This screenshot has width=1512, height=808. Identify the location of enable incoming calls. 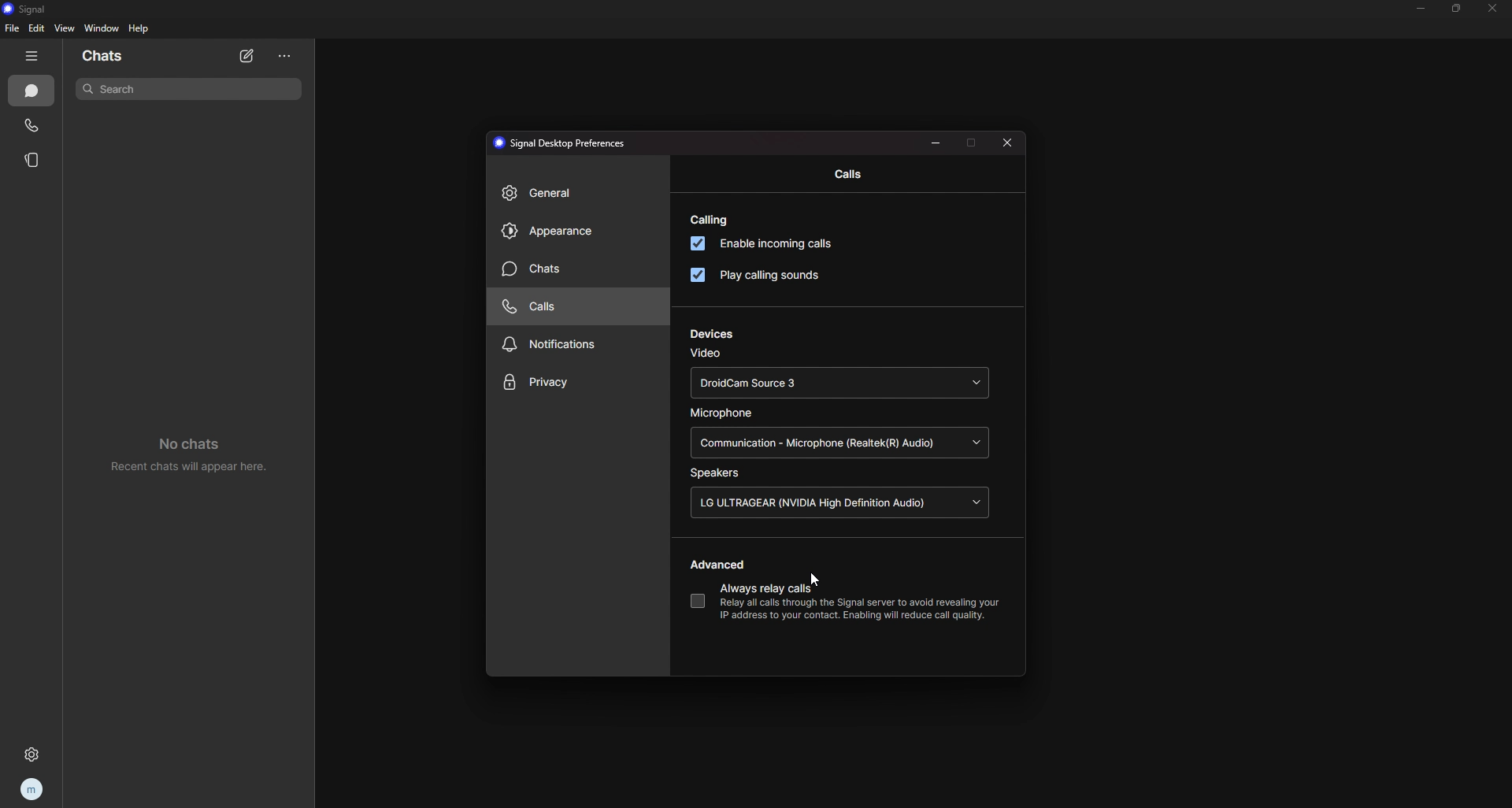
(761, 243).